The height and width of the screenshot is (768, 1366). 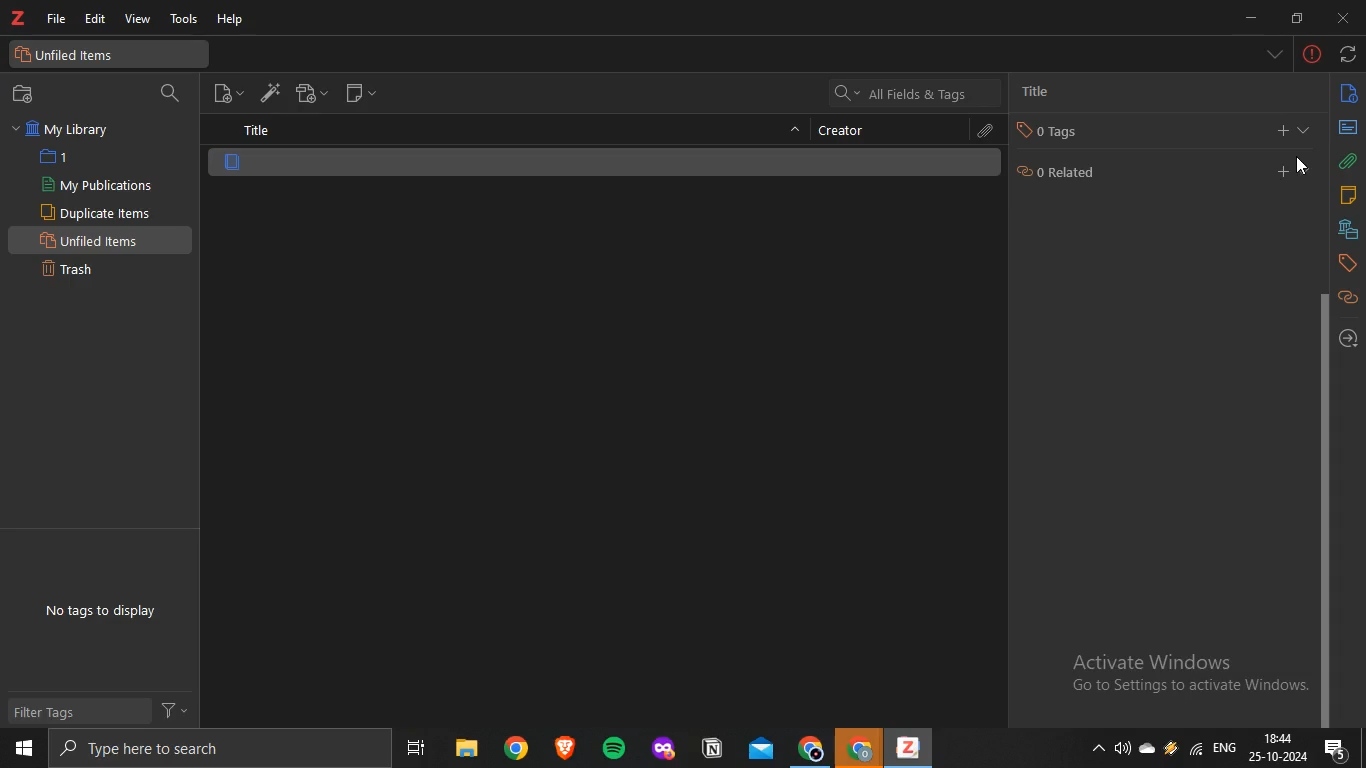 What do you see at coordinates (76, 128) in the screenshot?
I see `my library` at bounding box center [76, 128].